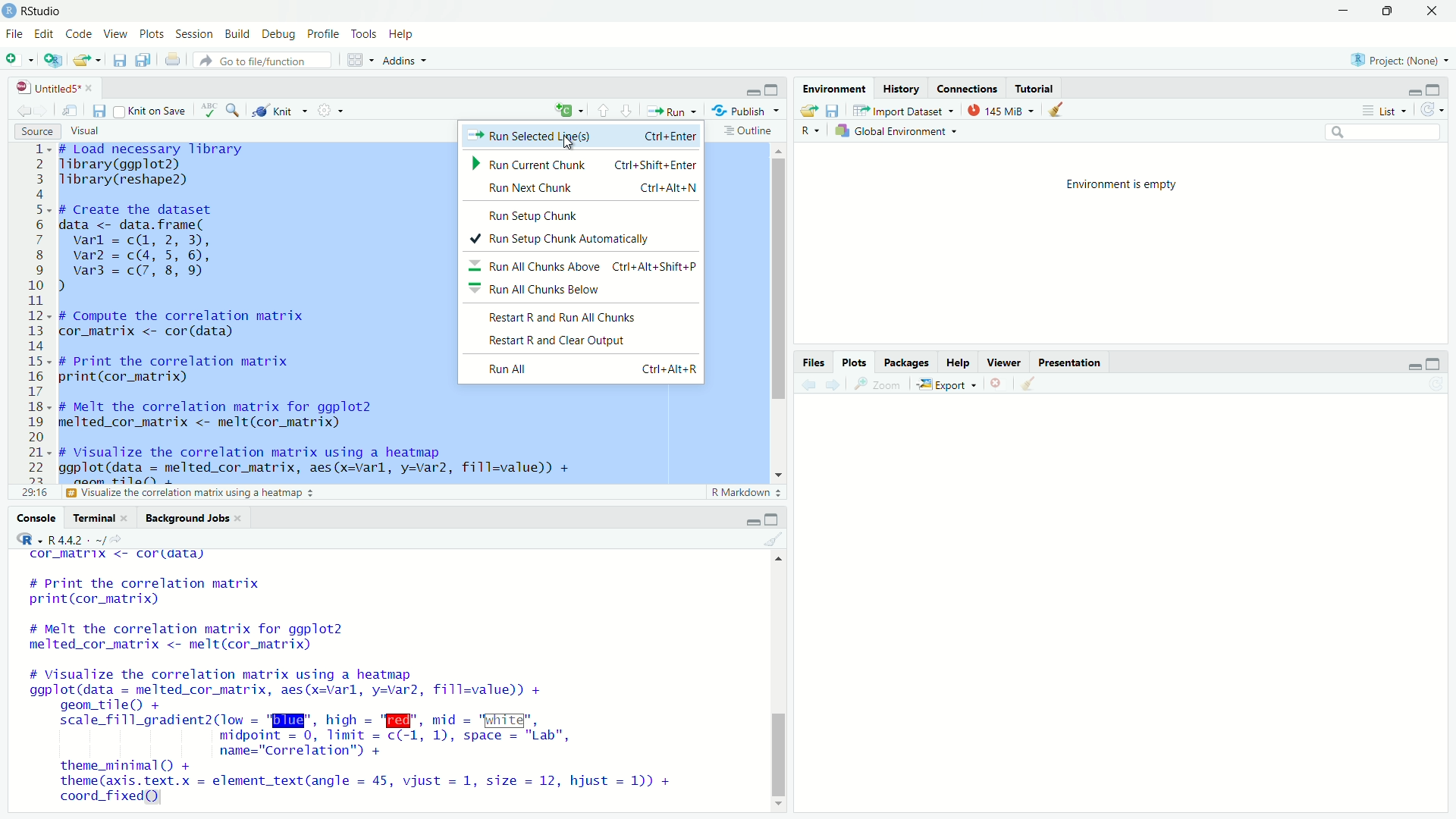  I want to click on maximize, so click(1435, 90).